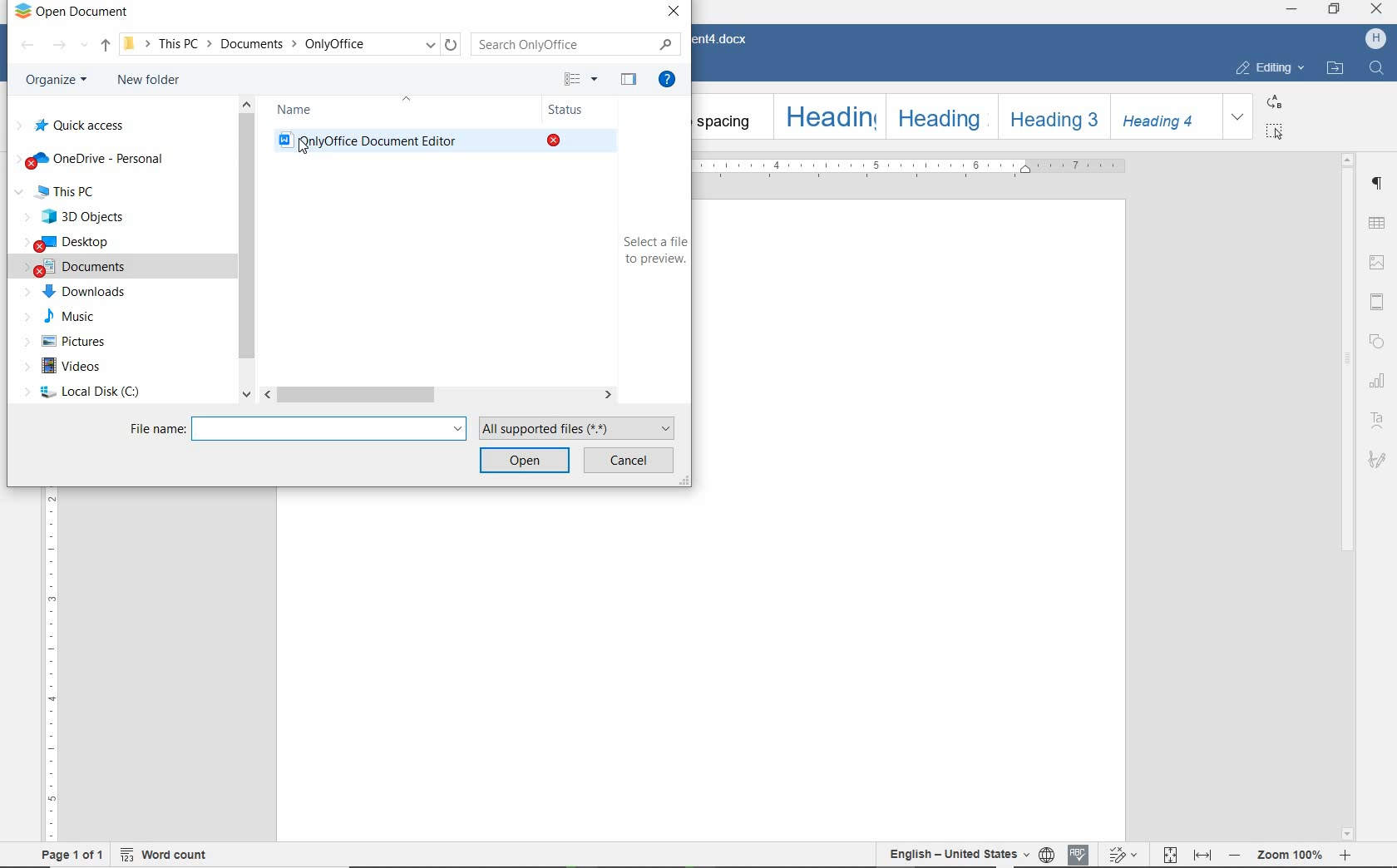 The image size is (1397, 868). I want to click on OneDrive-personal, so click(101, 160).